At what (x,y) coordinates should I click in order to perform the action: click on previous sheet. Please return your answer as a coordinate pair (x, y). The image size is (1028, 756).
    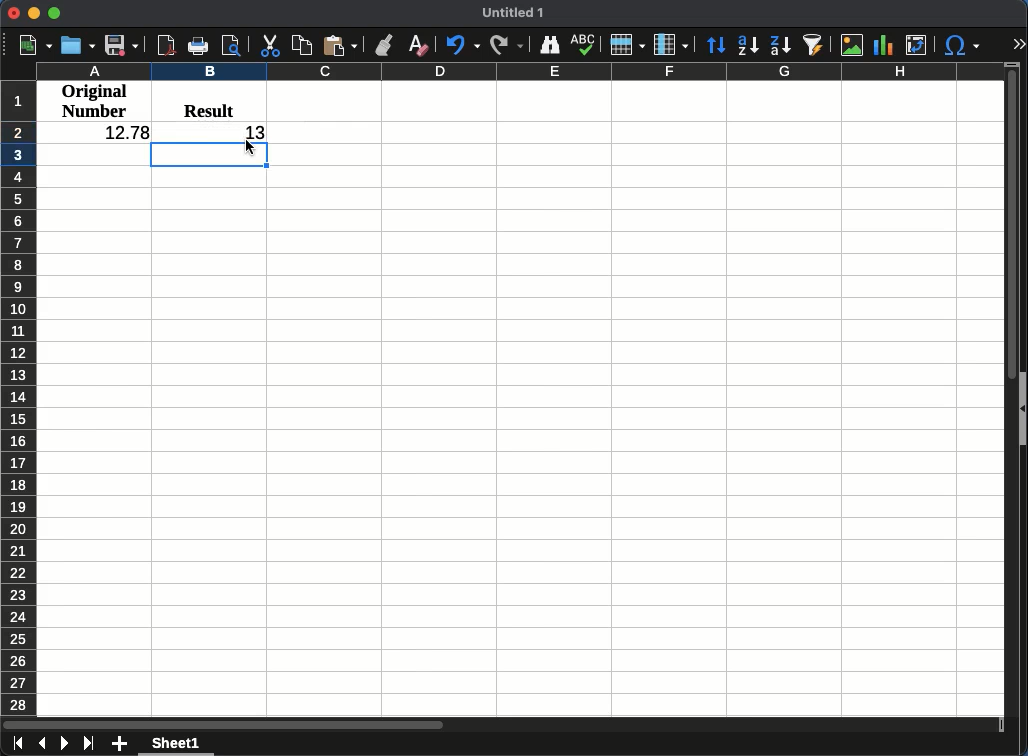
    Looking at the image, I should click on (43, 743).